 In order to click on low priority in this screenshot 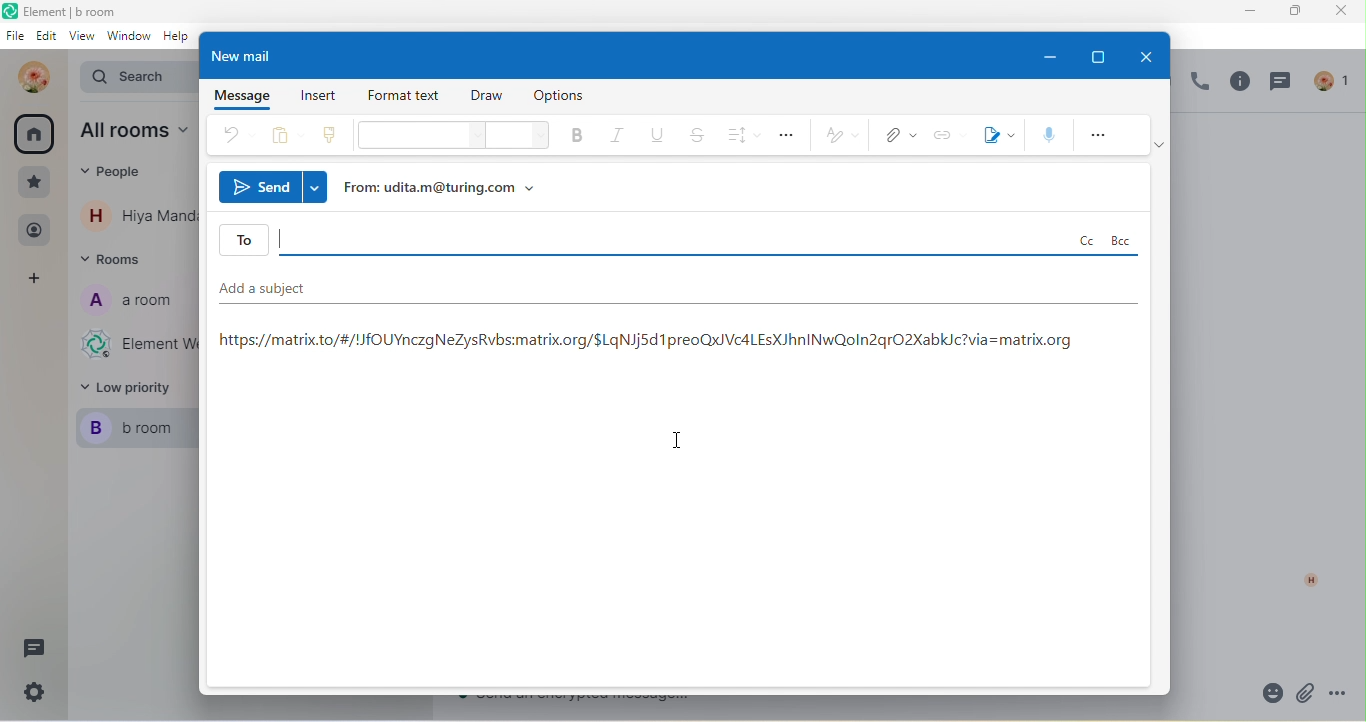, I will do `click(132, 389)`.